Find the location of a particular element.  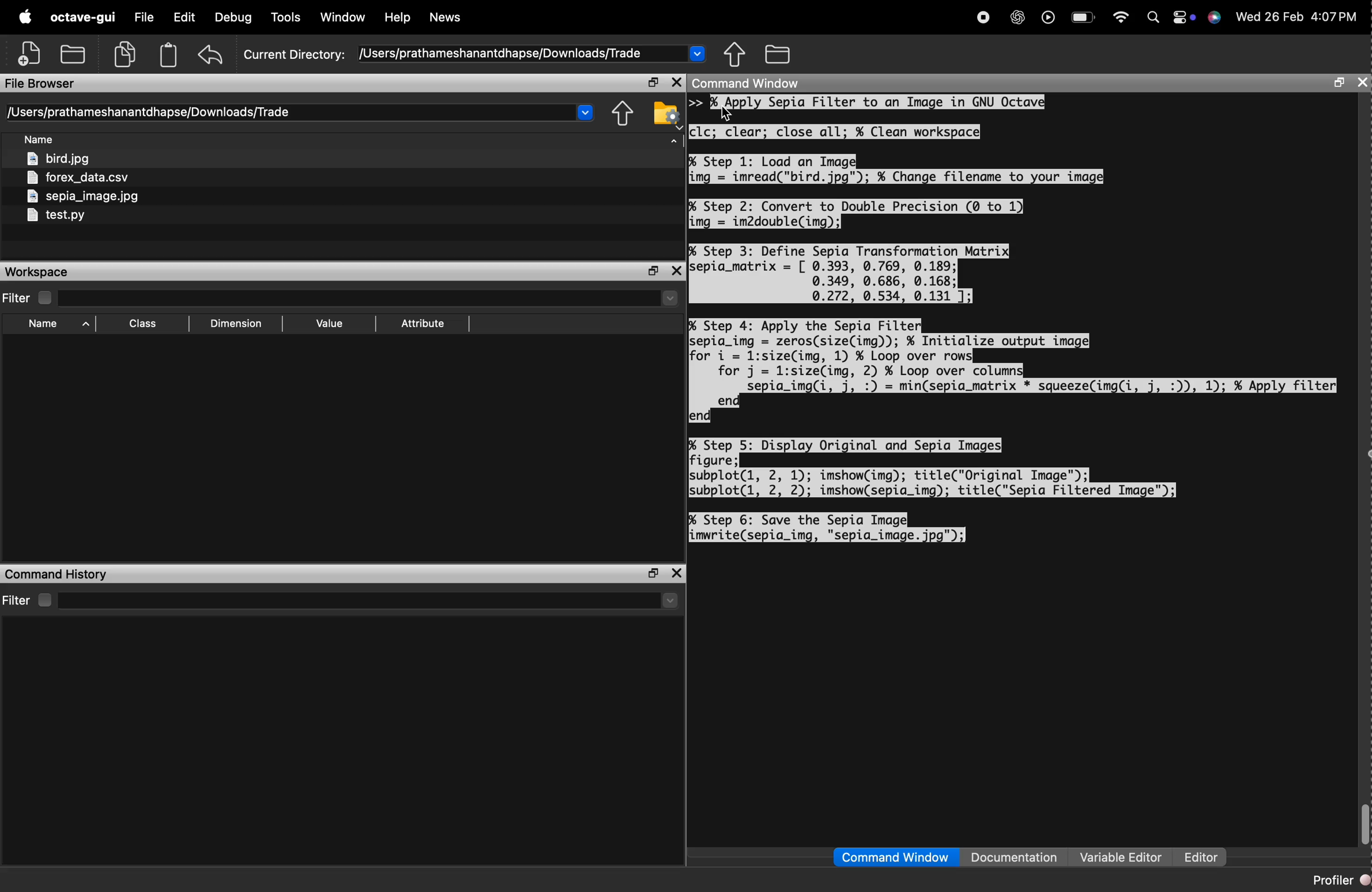

Profiler @ is located at coordinates (1340, 879).